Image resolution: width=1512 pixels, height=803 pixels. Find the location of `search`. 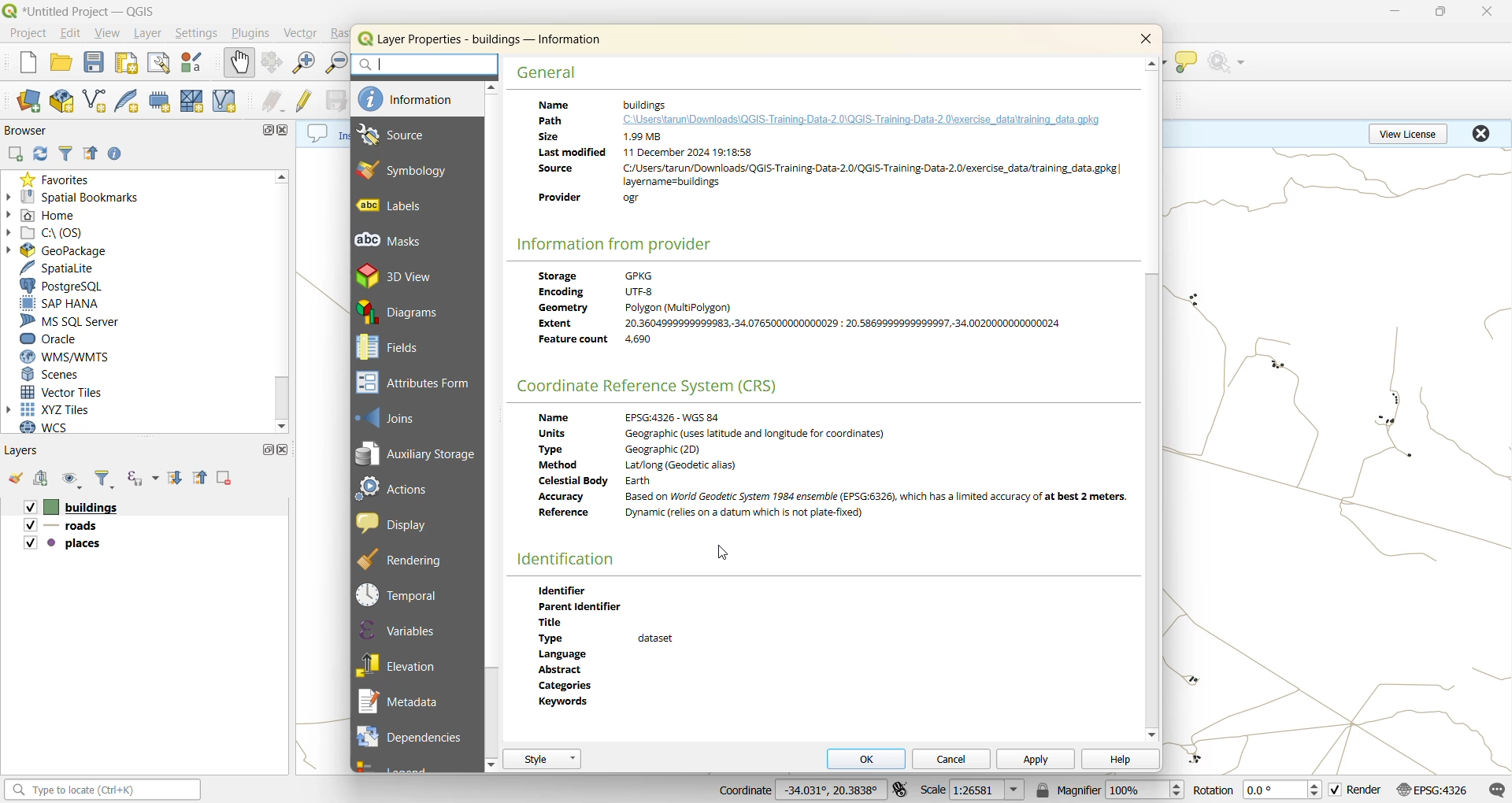

search is located at coordinates (426, 67).